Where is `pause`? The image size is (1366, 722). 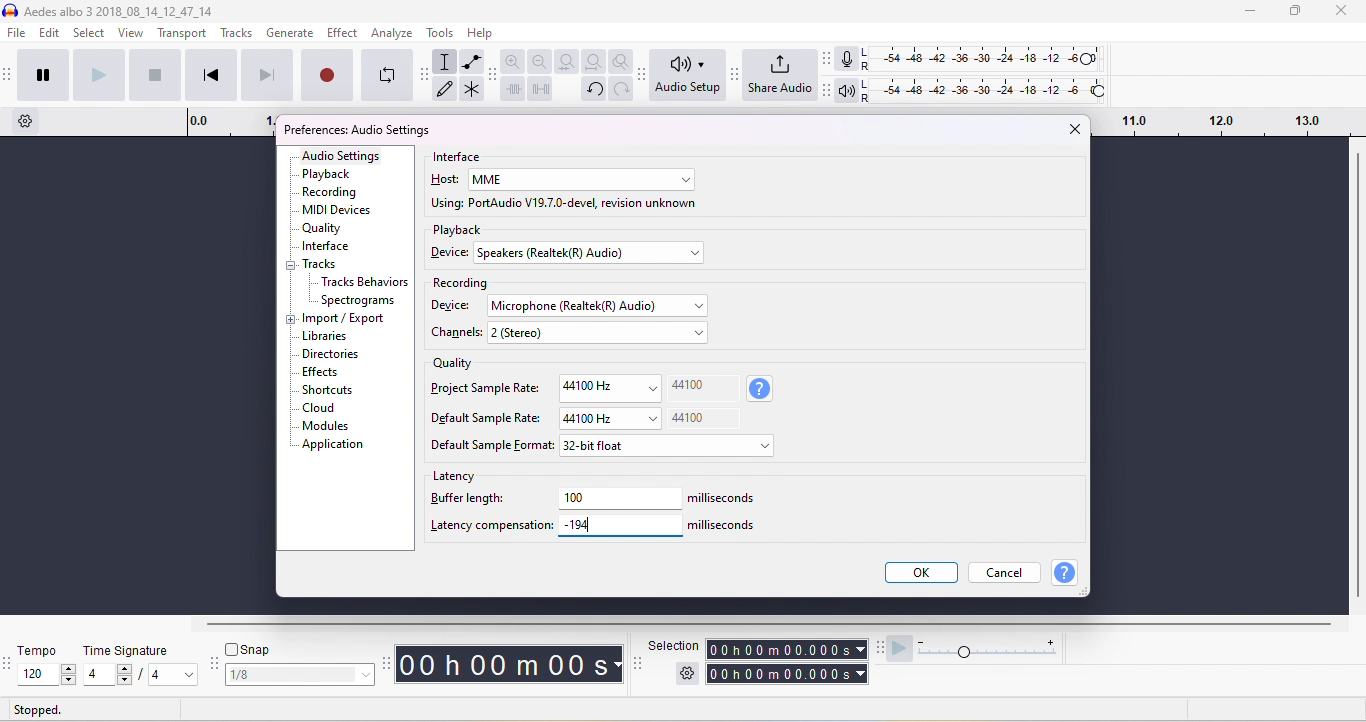 pause is located at coordinates (43, 73).